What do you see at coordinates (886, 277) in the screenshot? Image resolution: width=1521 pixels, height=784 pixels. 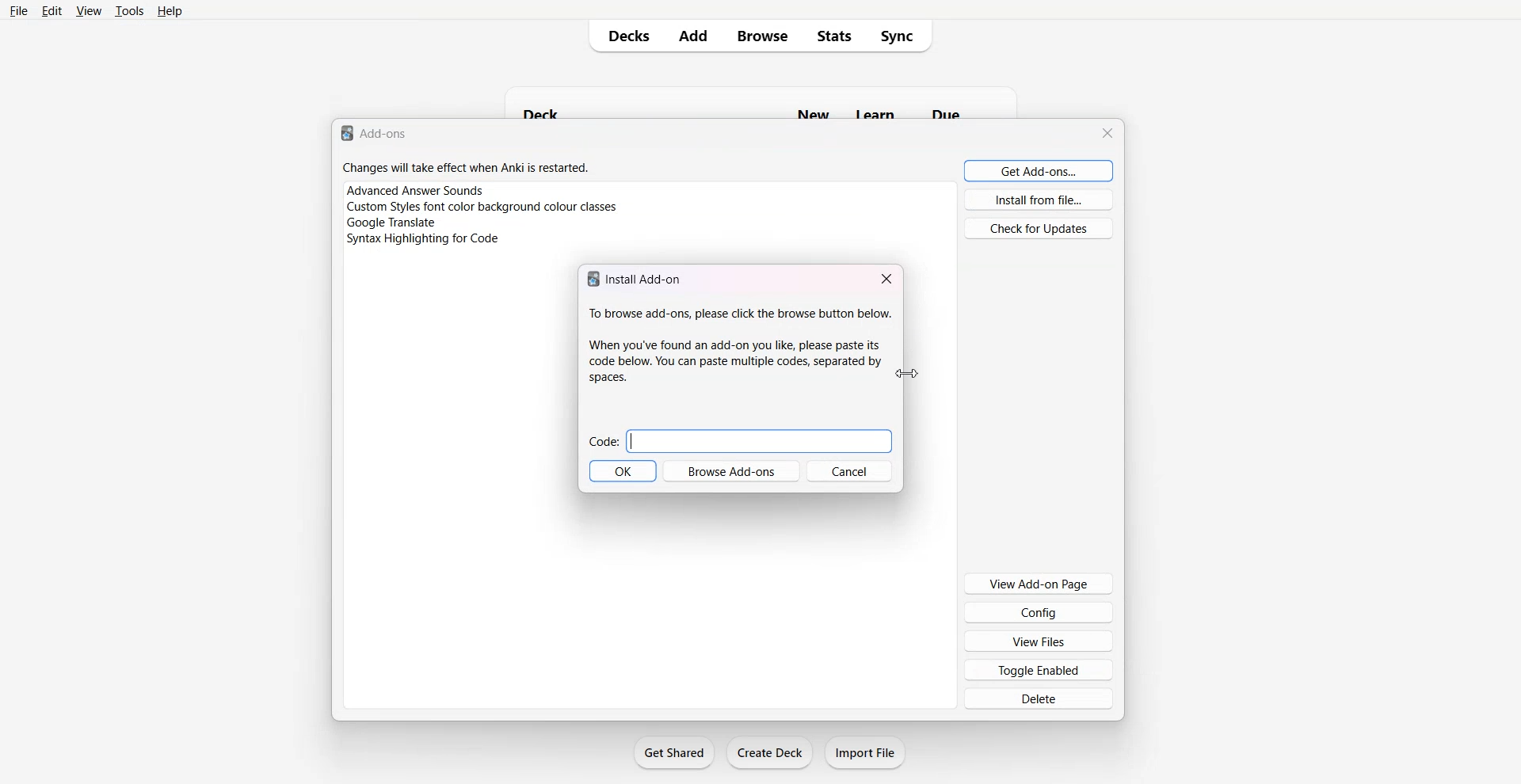 I see `Close` at bounding box center [886, 277].